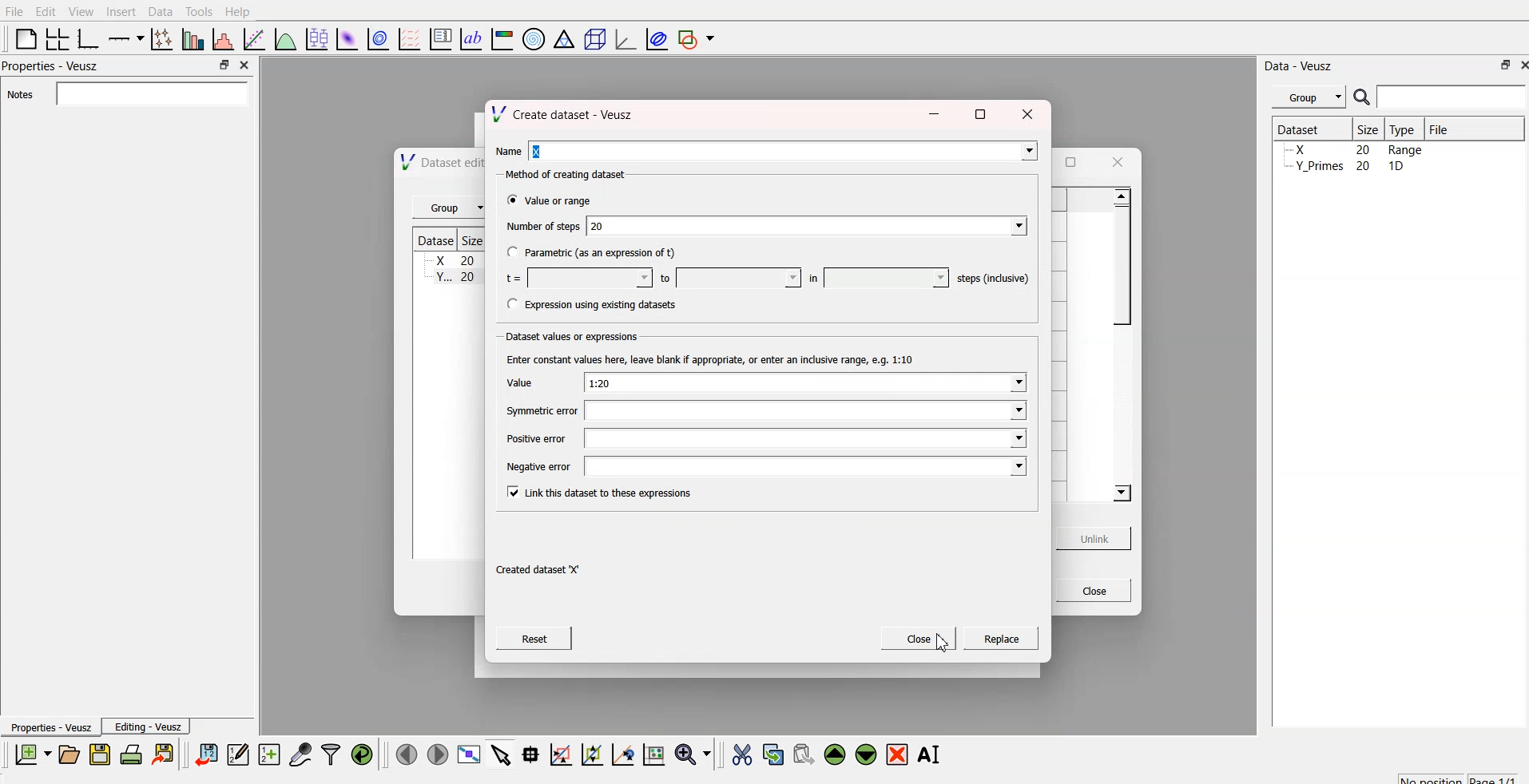  What do you see at coordinates (410, 38) in the screenshot?
I see `plot a vector field` at bounding box center [410, 38].